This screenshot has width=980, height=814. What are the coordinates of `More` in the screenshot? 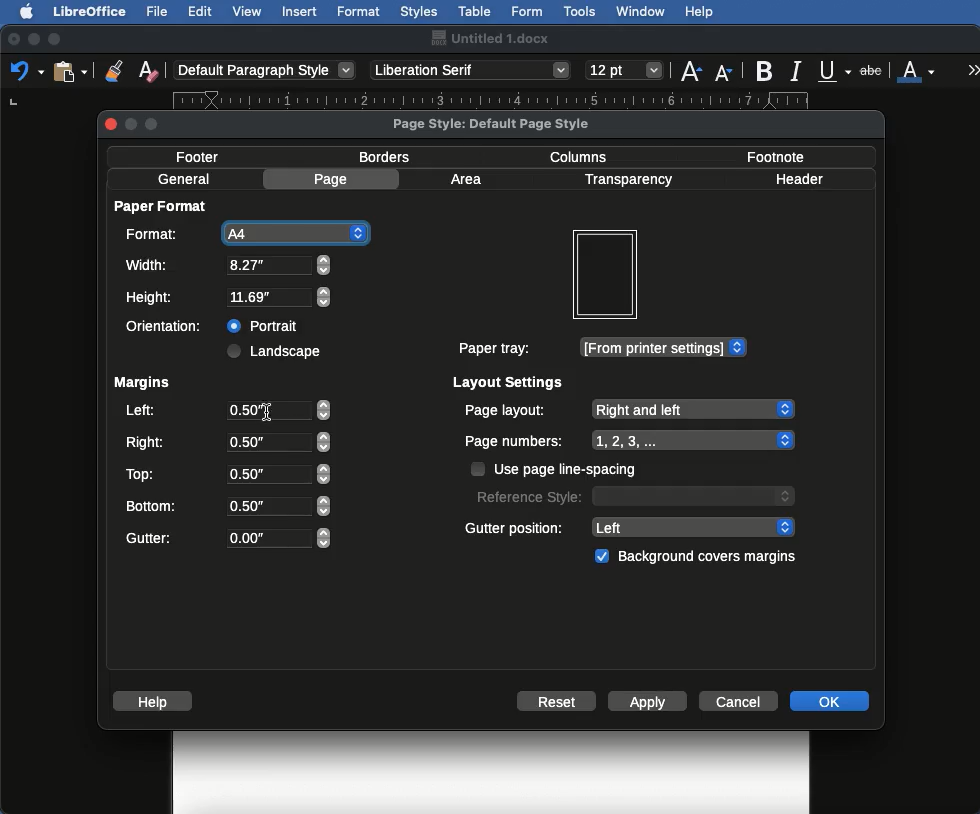 It's located at (974, 69).